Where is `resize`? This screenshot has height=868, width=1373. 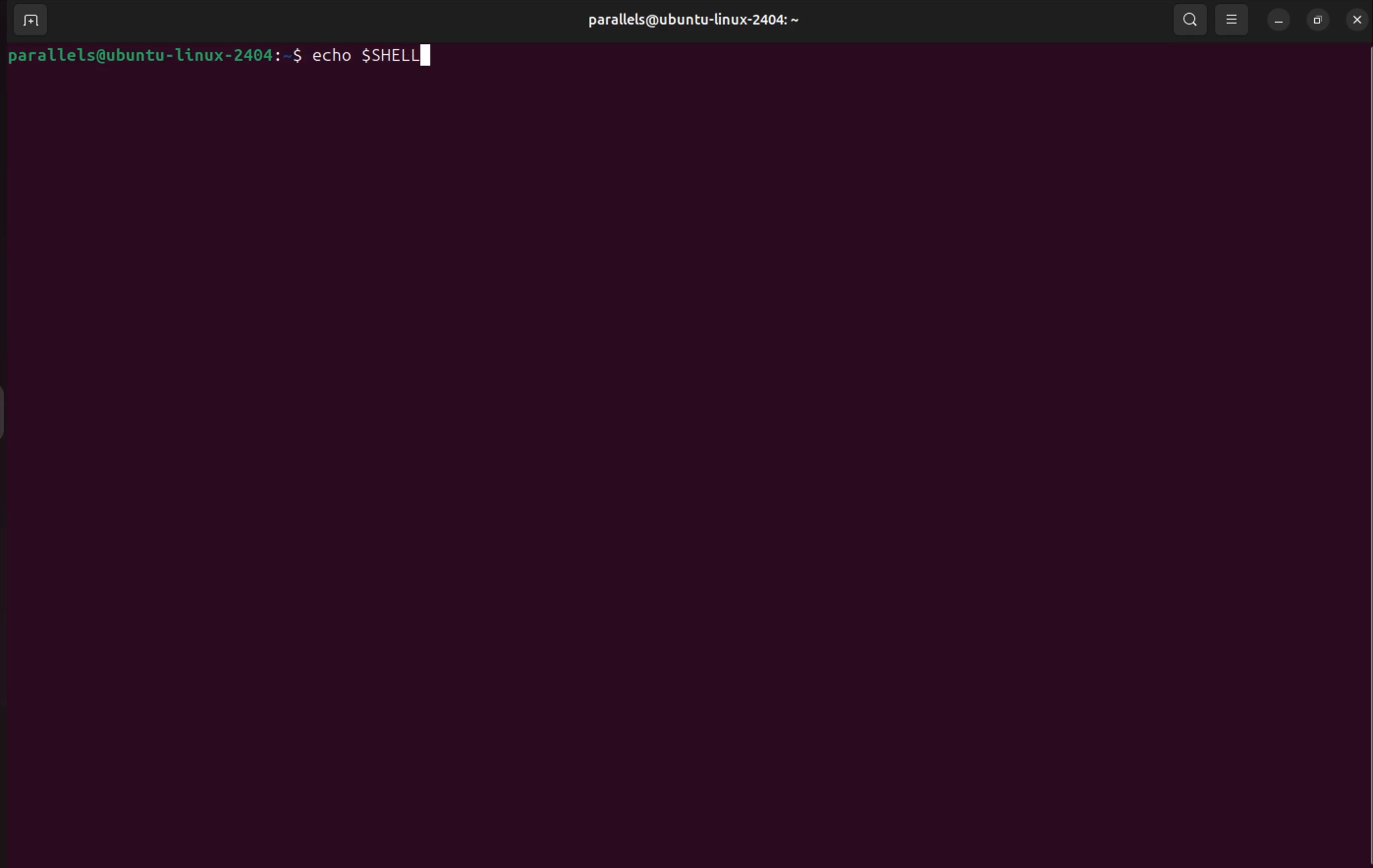
resize is located at coordinates (1318, 19).